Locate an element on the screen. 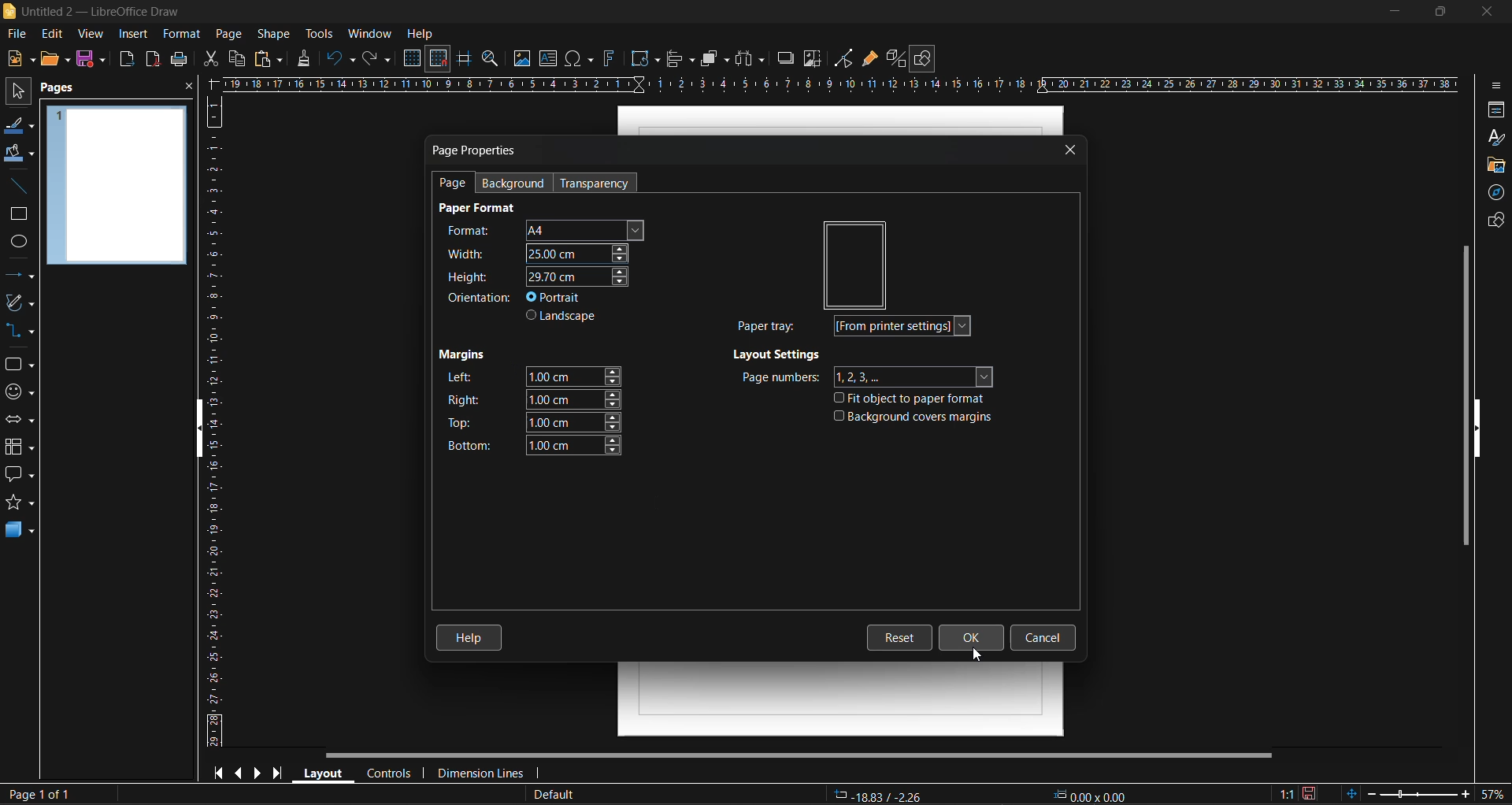 The width and height of the screenshot is (1512, 805). arrange is located at coordinates (716, 59).